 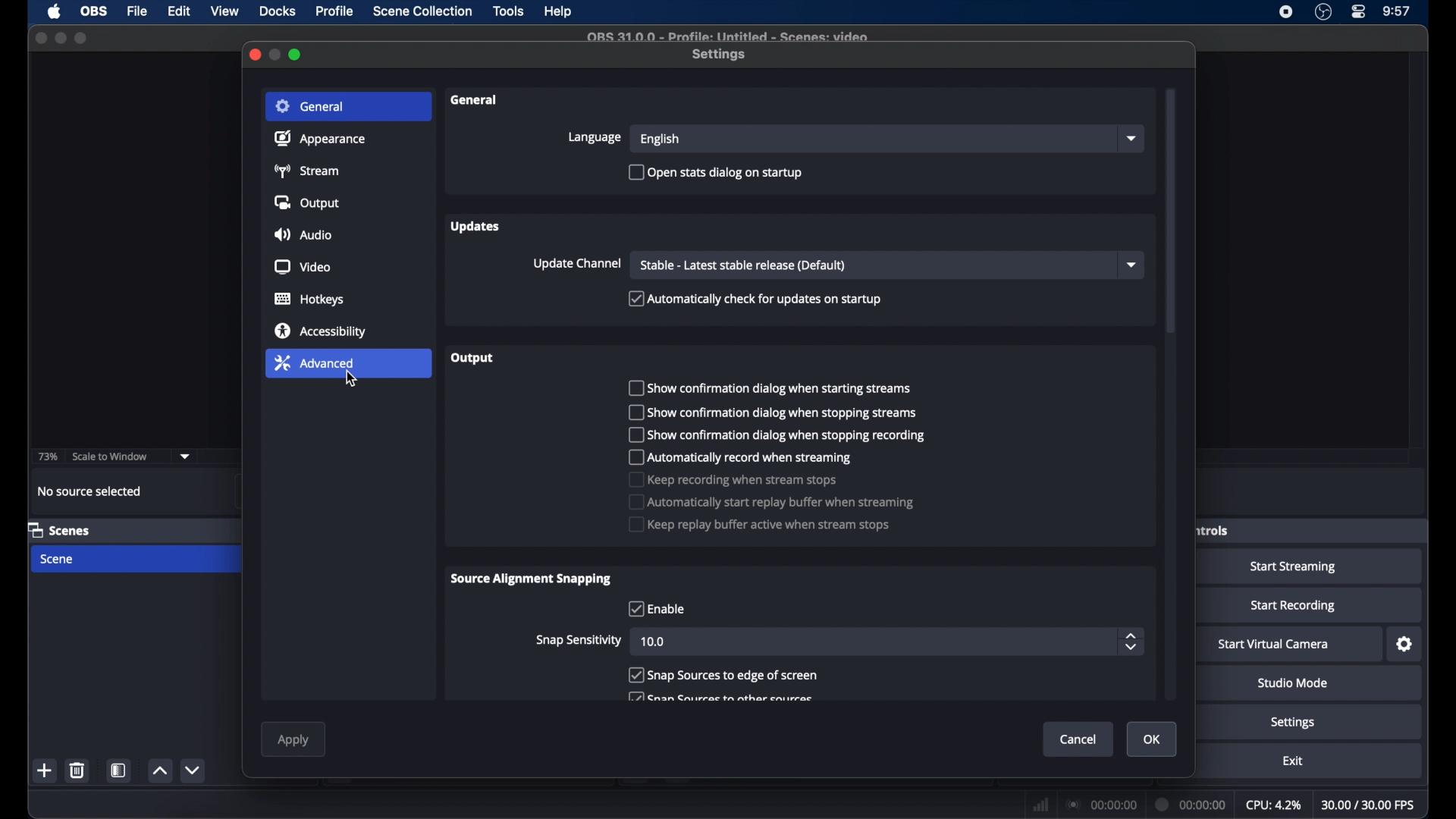 What do you see at coordinates (1131, 642) in the screenshot?
I see `stepper buttons` at bounding box center [1131, 642].